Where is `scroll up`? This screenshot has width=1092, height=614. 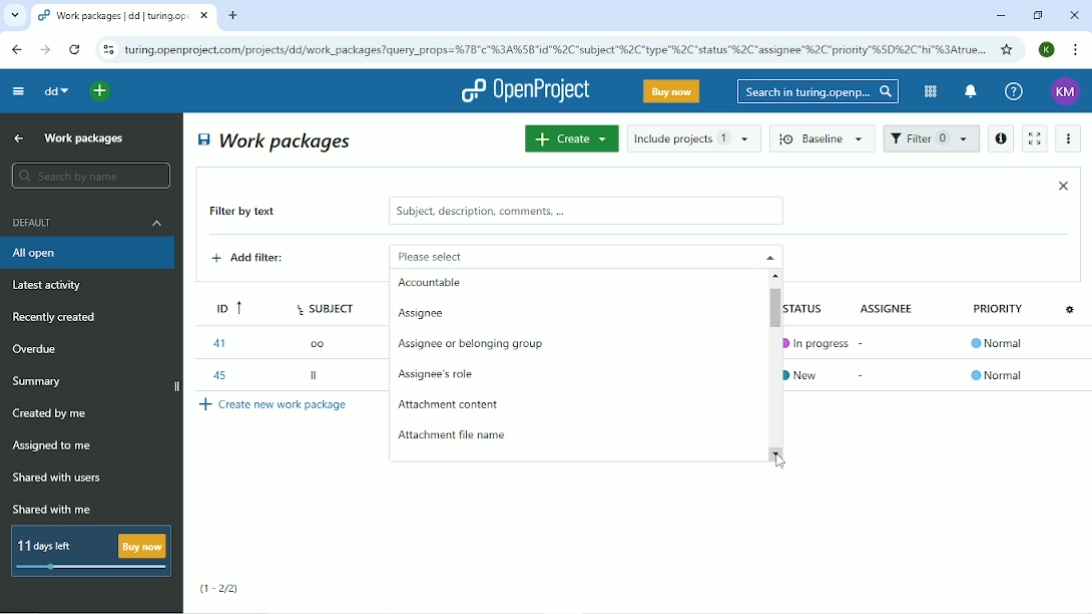 scroll up is located at coordinates (779, 275).